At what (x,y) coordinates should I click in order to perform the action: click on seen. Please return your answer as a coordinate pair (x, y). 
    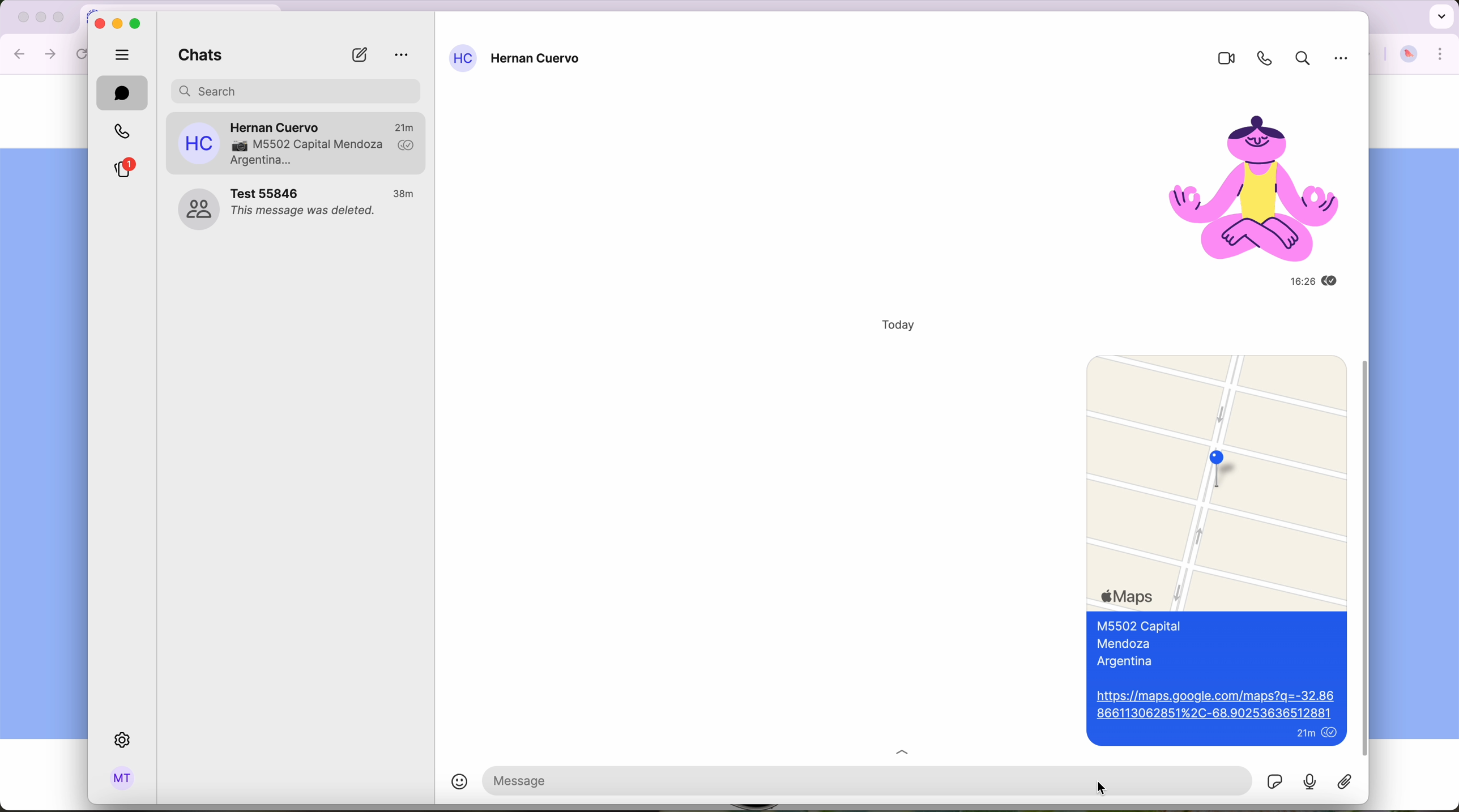
    Looking at the image, I should click on (1334, 281).